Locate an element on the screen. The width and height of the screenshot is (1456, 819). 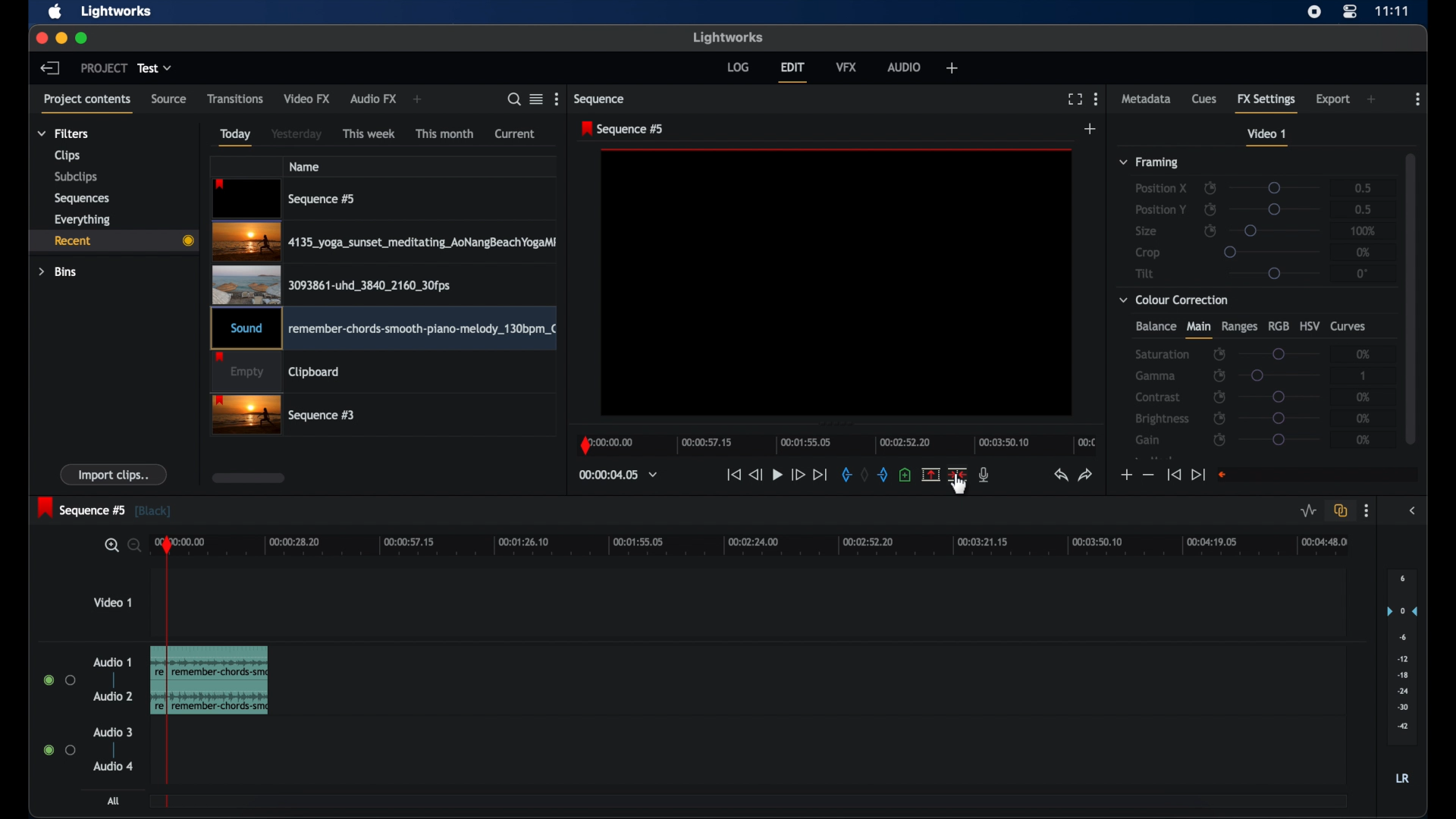
audio is located at coordinates (904, 67).